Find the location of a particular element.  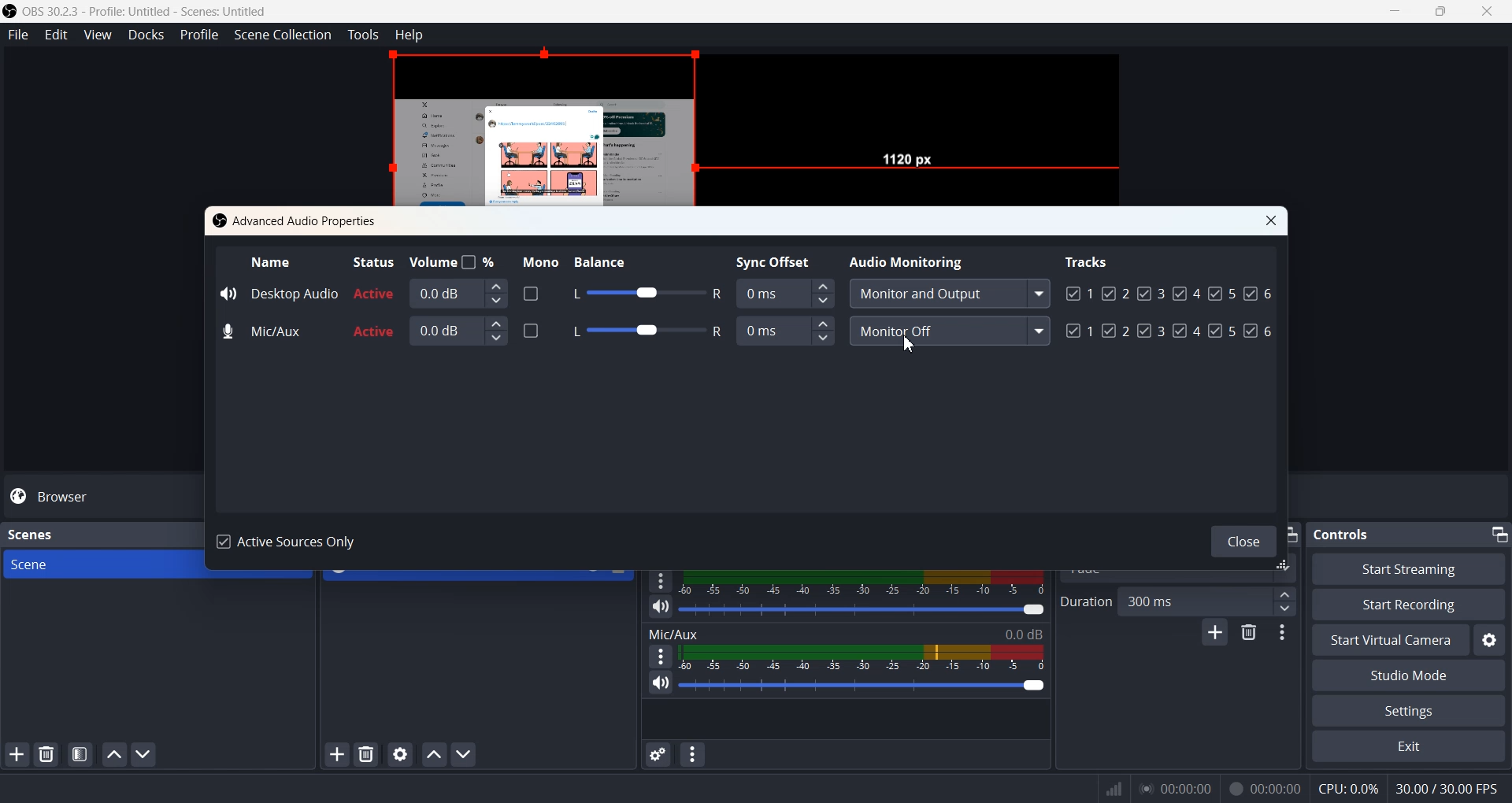

Scenes is located at coordinates (30, 533).